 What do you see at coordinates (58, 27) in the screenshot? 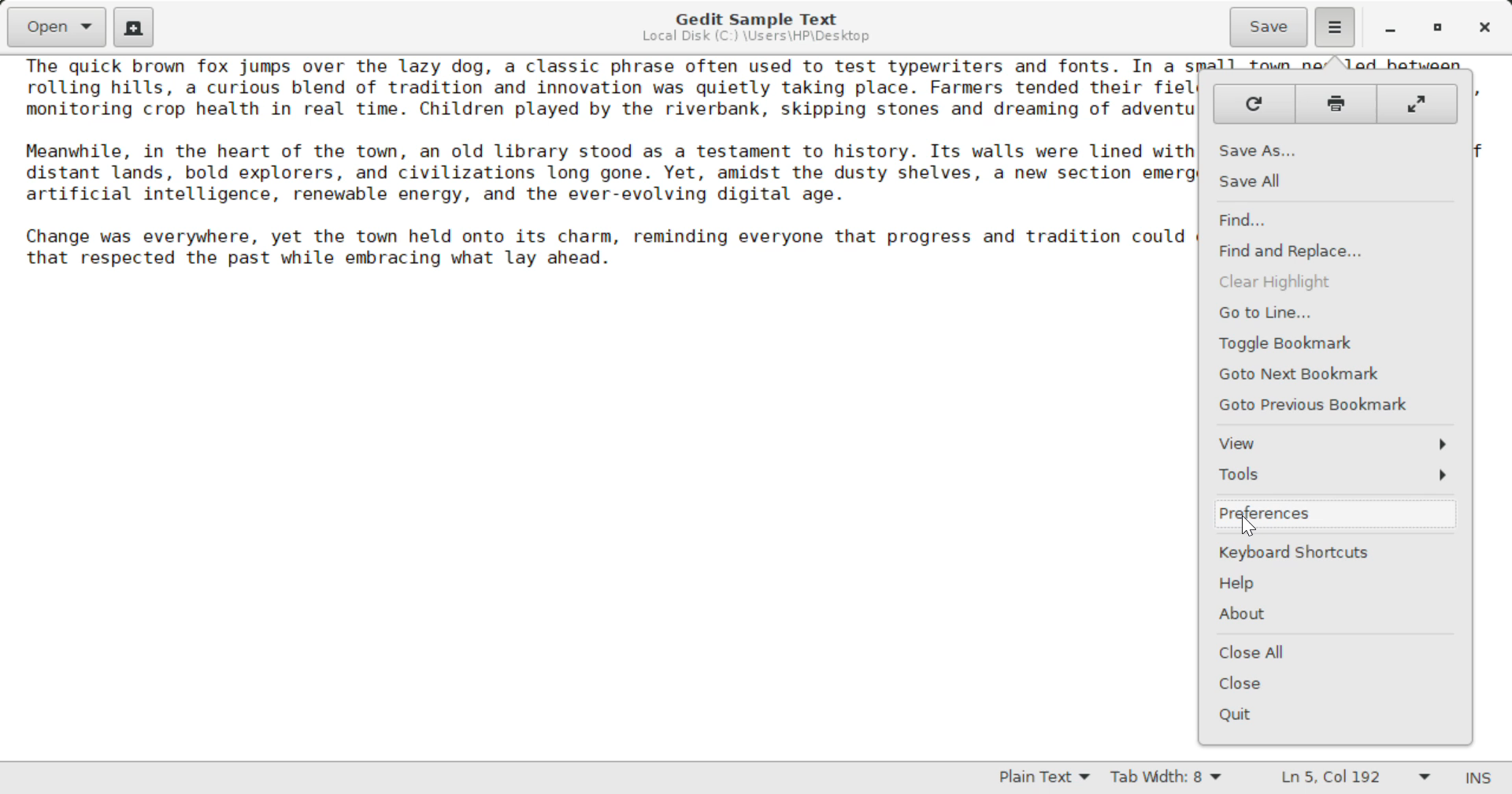
I see `Open Documents` at bounding box center [58, 27].